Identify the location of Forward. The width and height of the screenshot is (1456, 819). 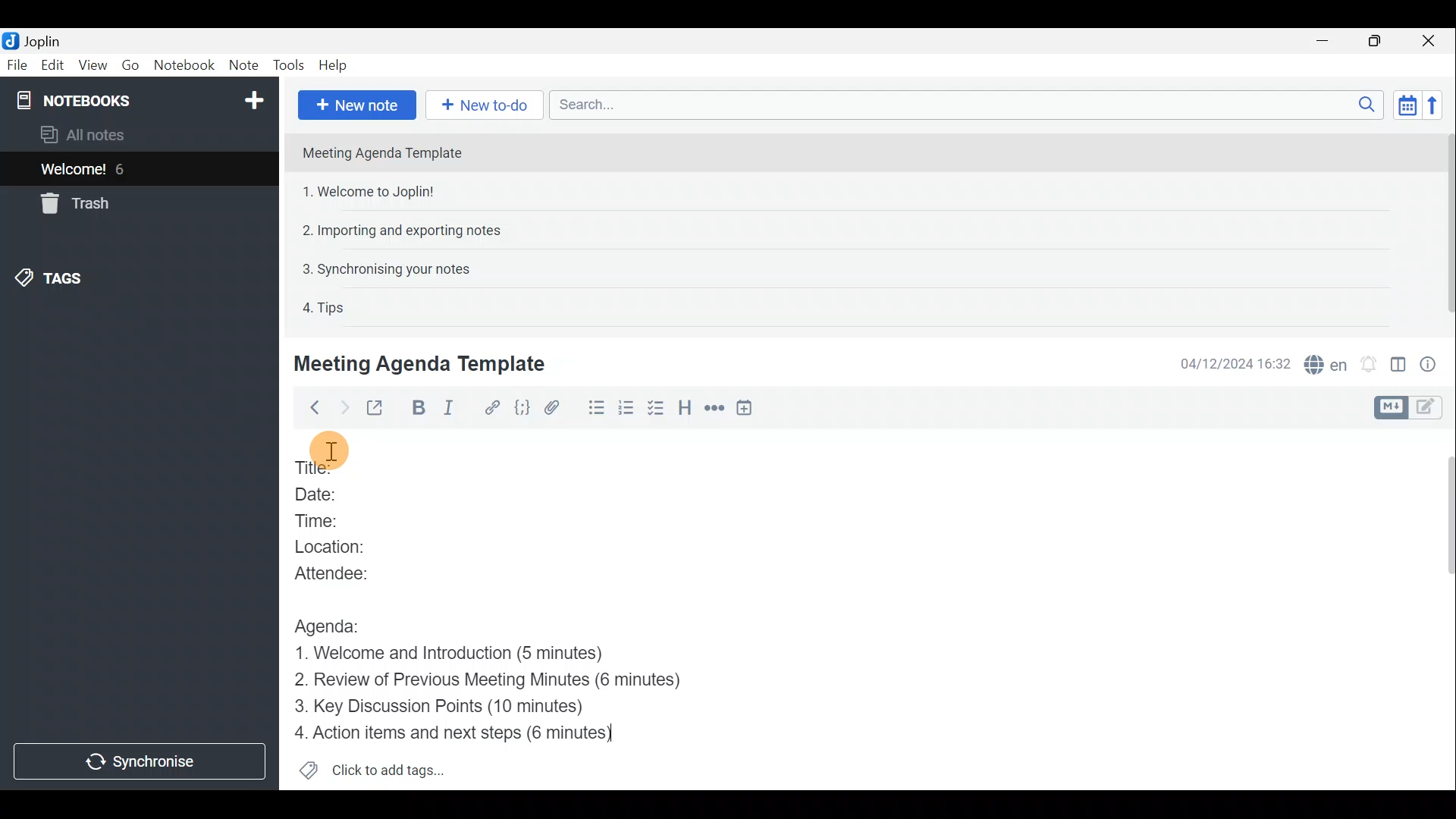
(342, 407).